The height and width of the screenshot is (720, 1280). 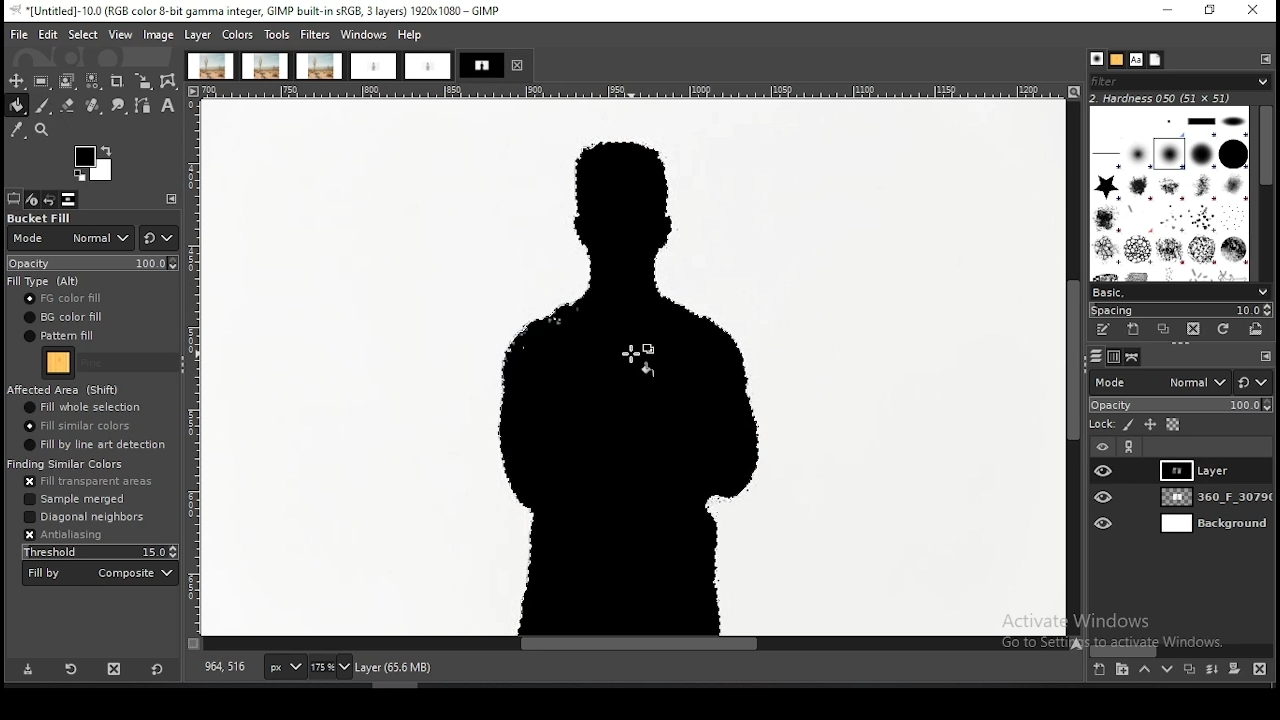 What do you see at coordinates (1144, 669) in the screenshot?
I see `move layer one step up` at bounding box center [1144, 669].